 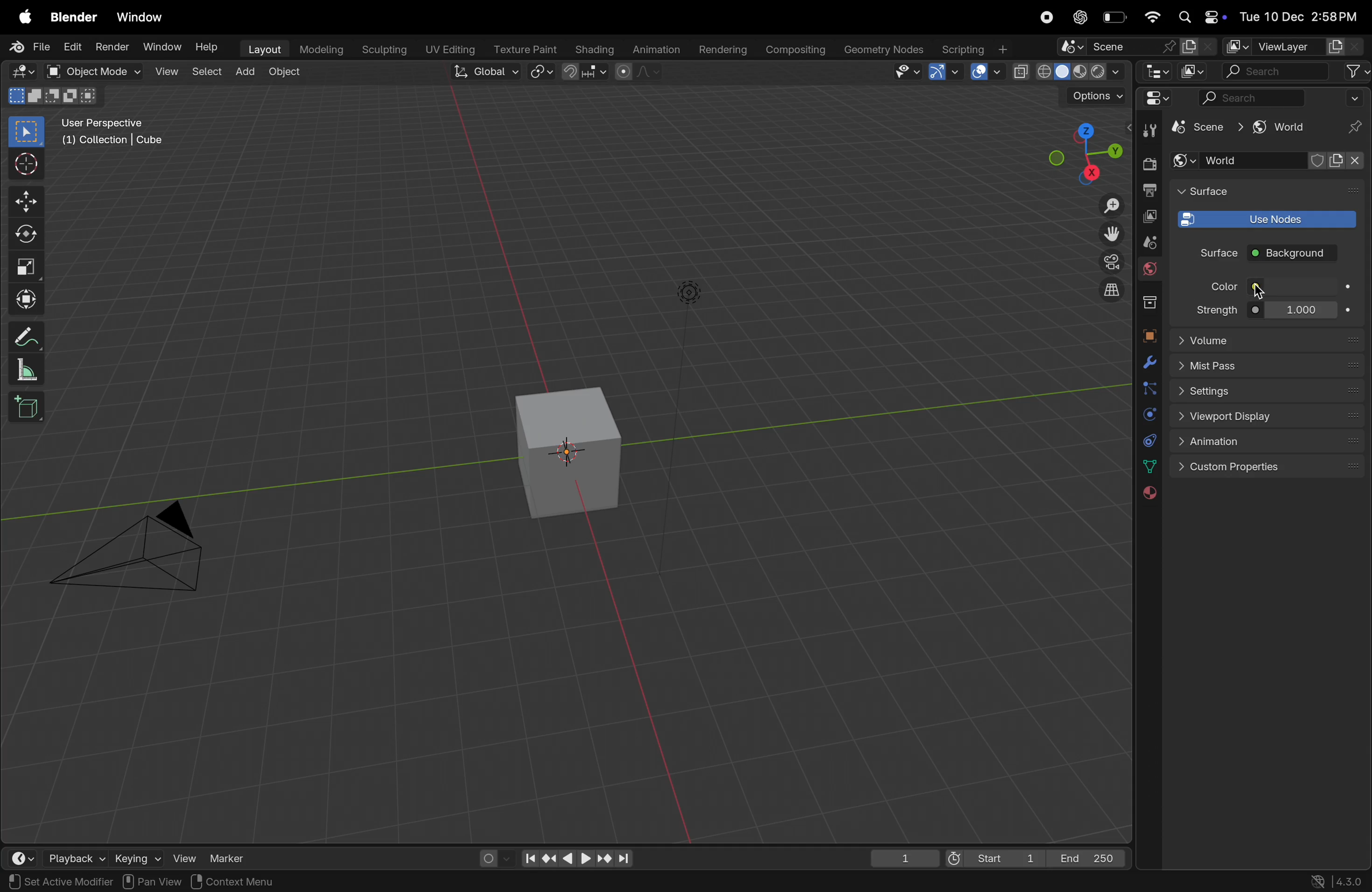 What do you see at coordinates (899, 856) in the screenshot?
I see `1` at bounding box center [899, 856].